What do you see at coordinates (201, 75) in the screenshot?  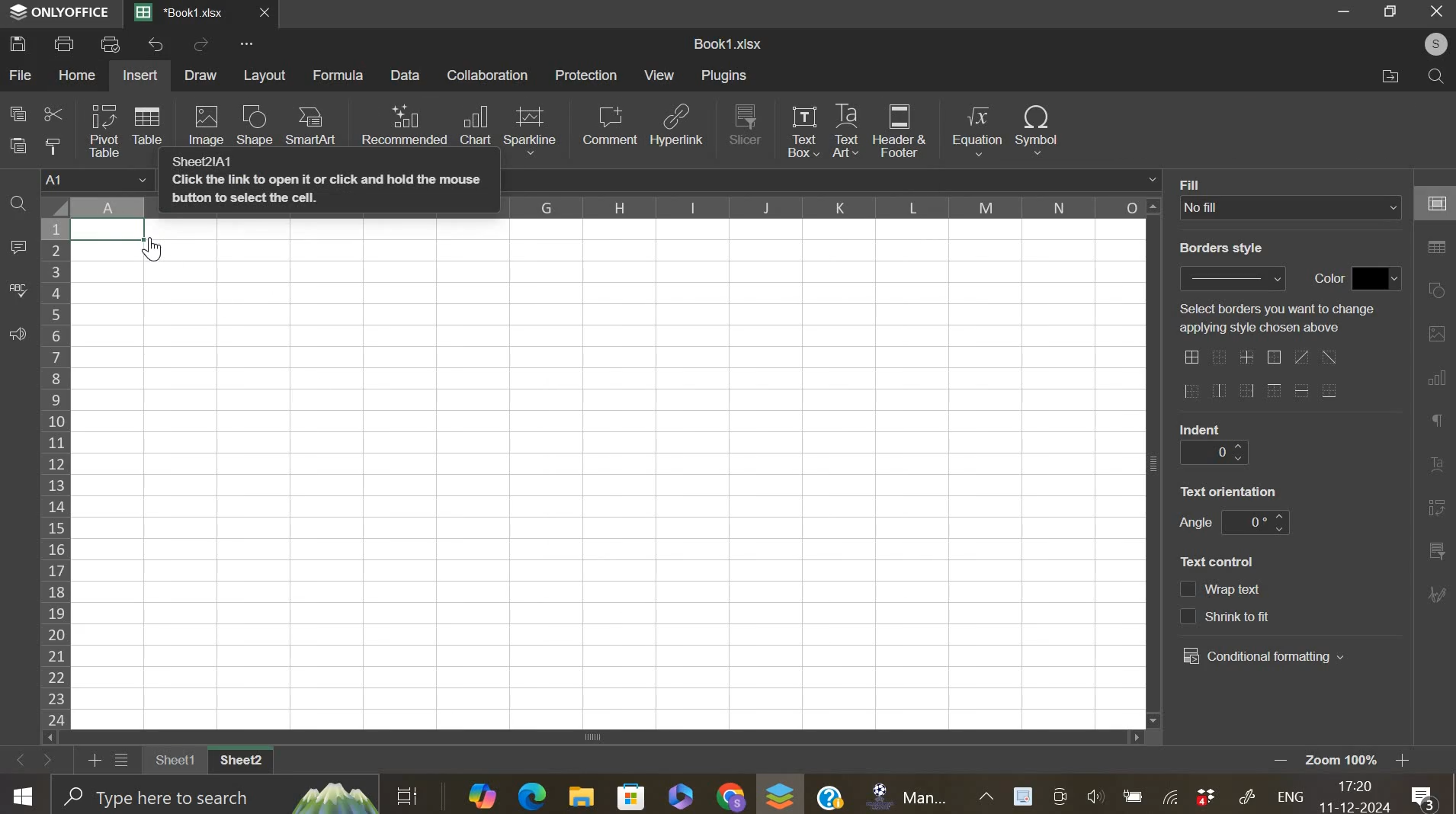 I see `draw` at bounding box center [201, 75].